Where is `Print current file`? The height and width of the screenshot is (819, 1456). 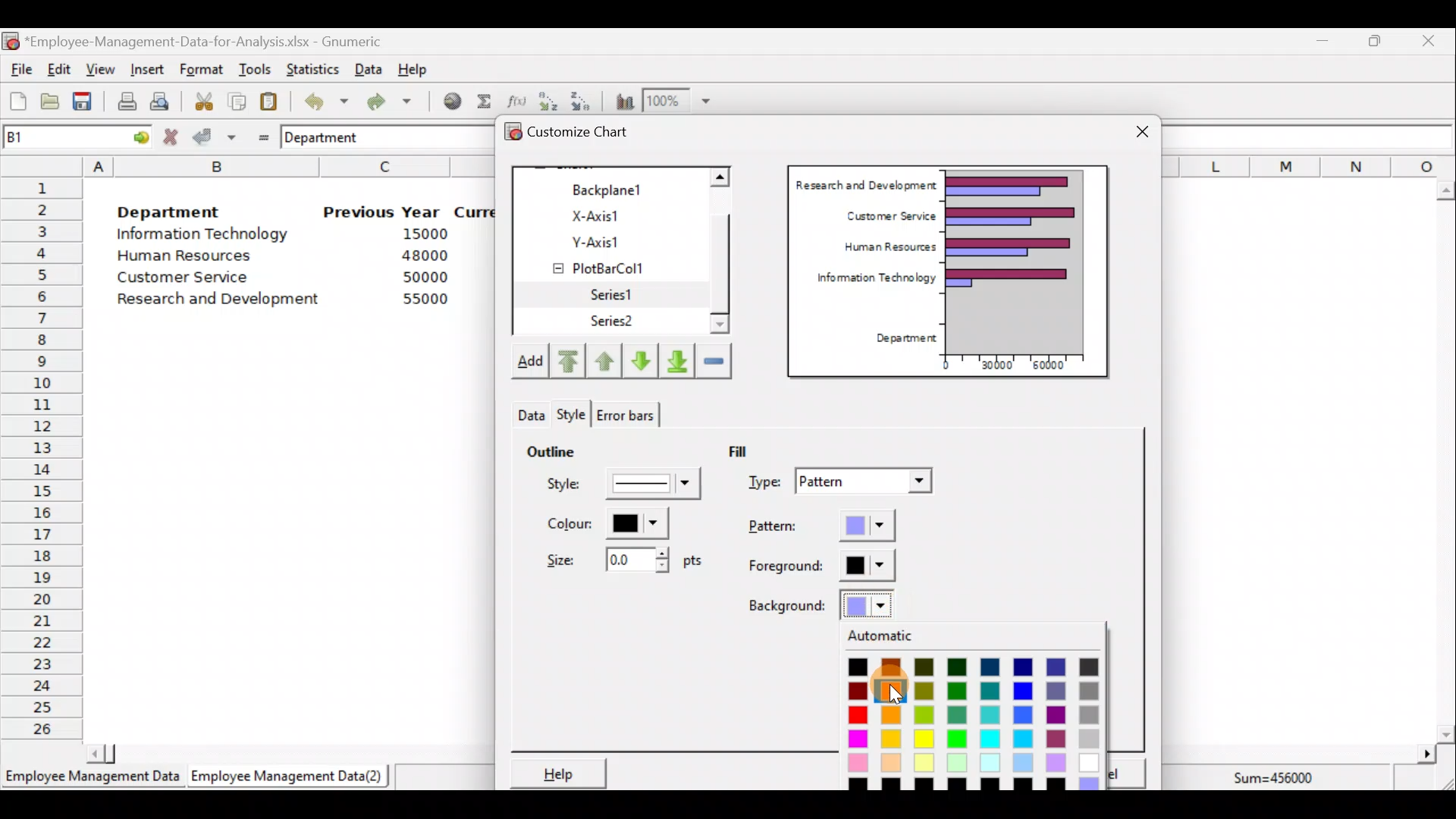 Print current file is located at coordinates (127, 101).